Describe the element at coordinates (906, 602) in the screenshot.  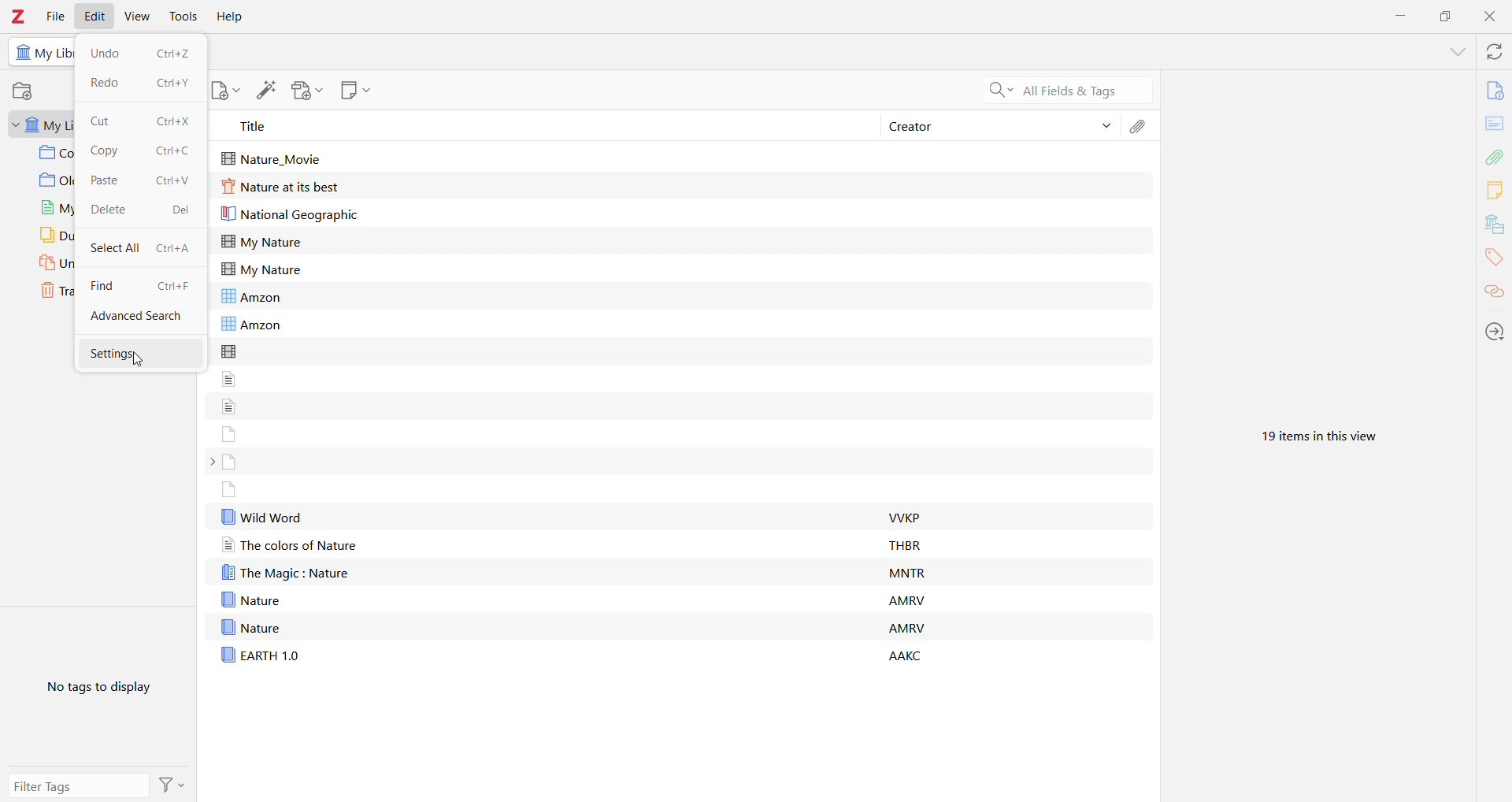
I see `AMRV` at that location.